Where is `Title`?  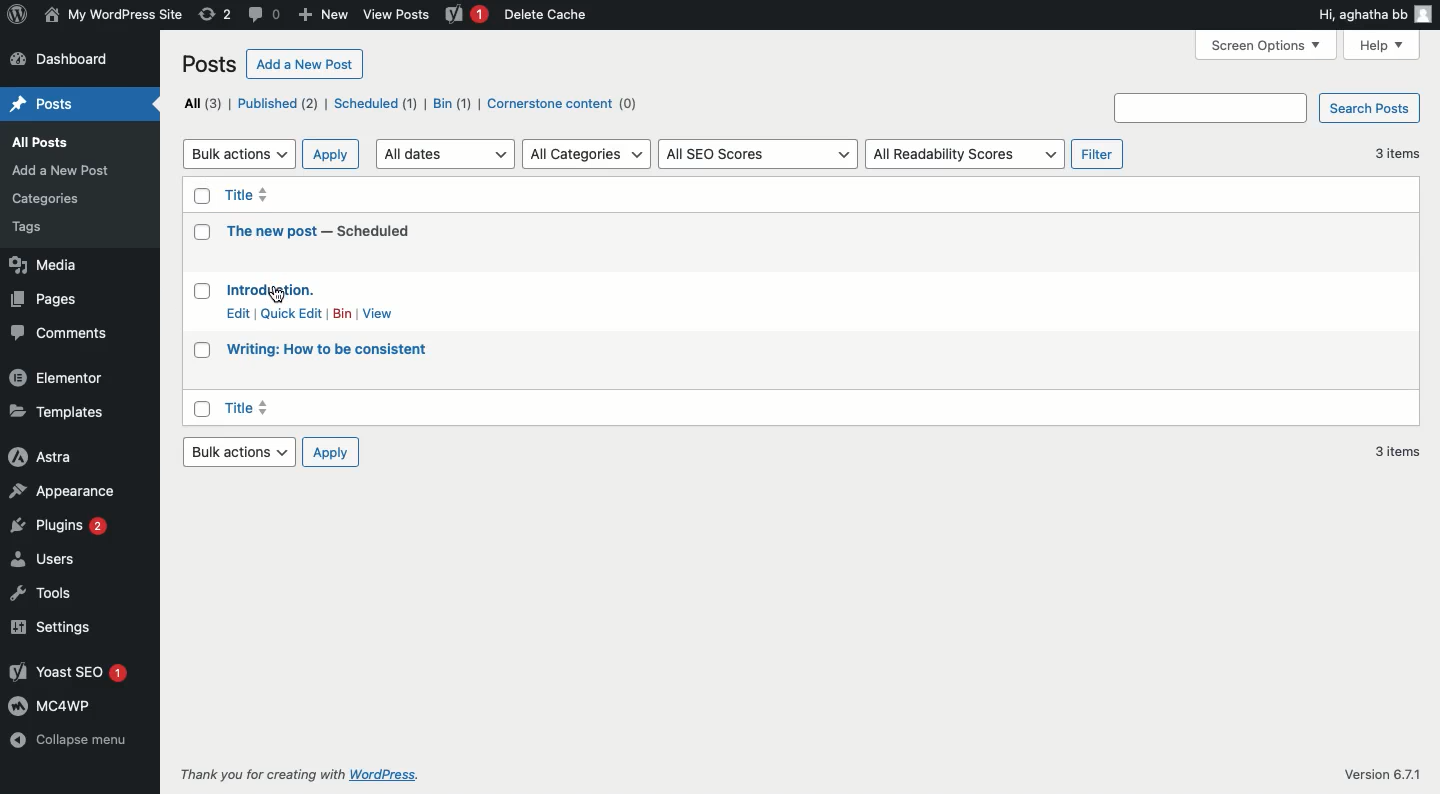
Title is located at coordinates (249, 409).